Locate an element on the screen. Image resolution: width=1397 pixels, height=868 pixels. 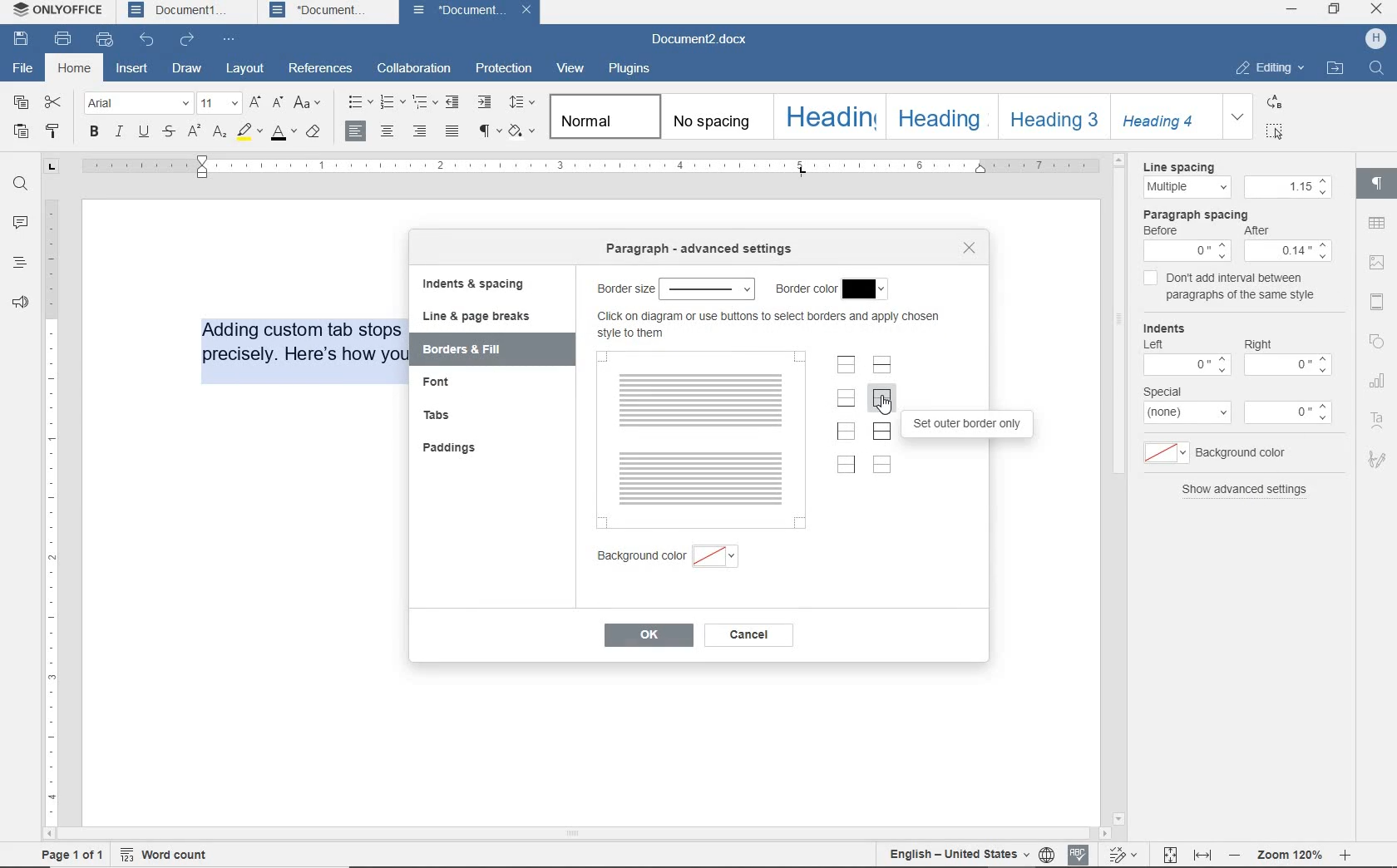
before is located at coordinates (1167, 230).